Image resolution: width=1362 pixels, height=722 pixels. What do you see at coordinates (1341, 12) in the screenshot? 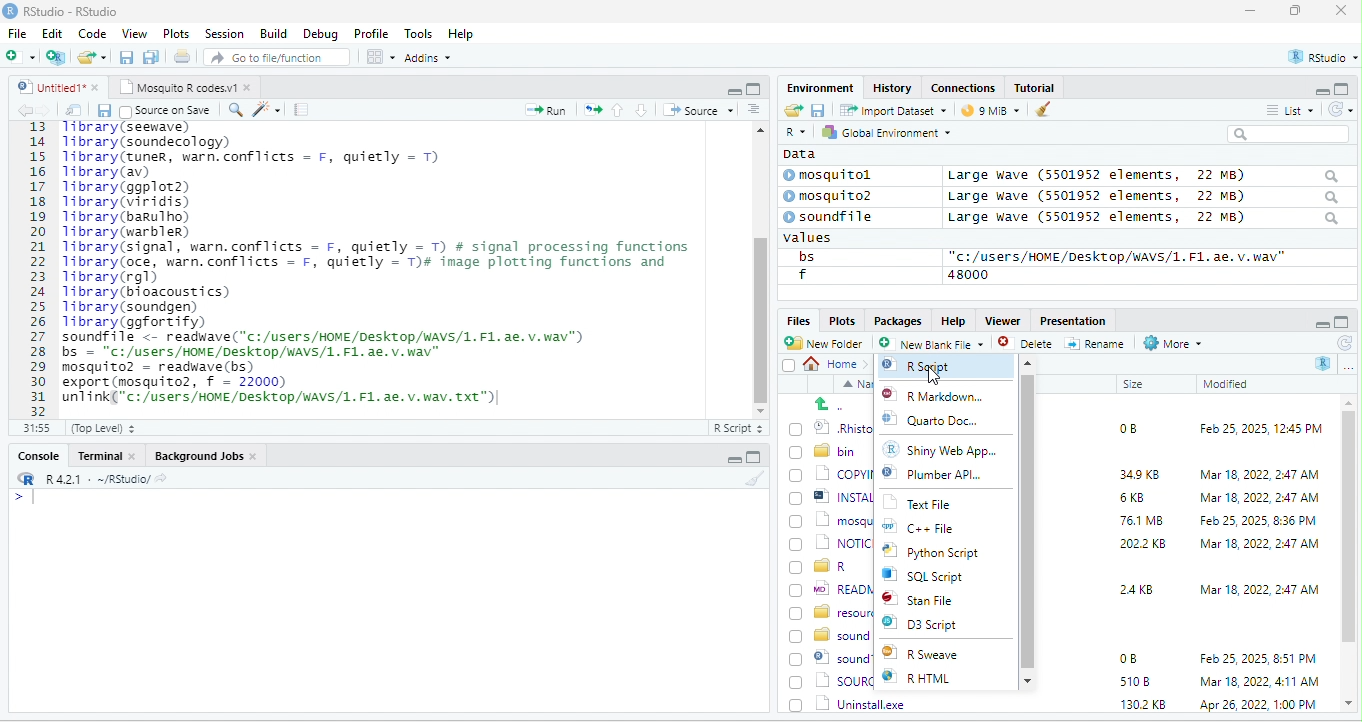
I see `close` at bounding box center [1341, 12].